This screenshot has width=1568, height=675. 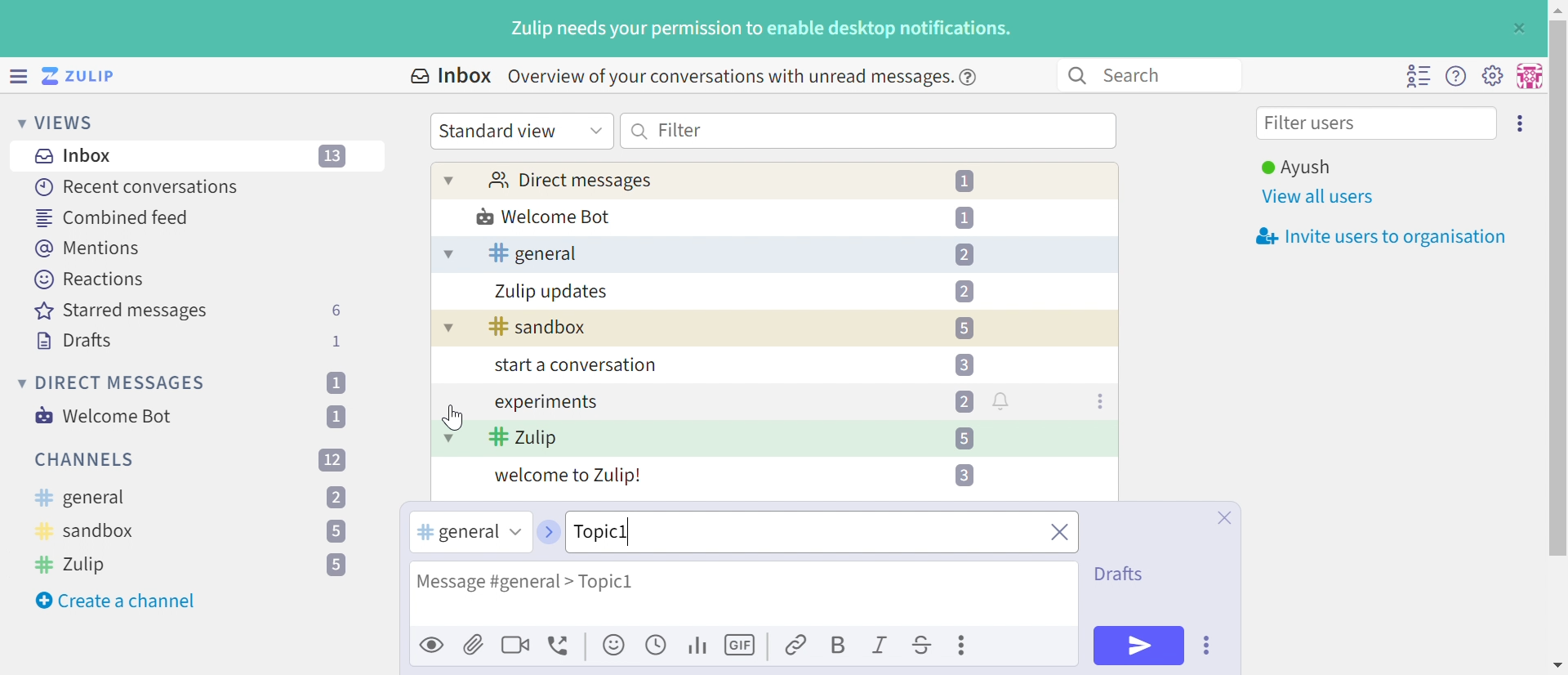 I want to click on Main menu, so click(x=1492, y=74).